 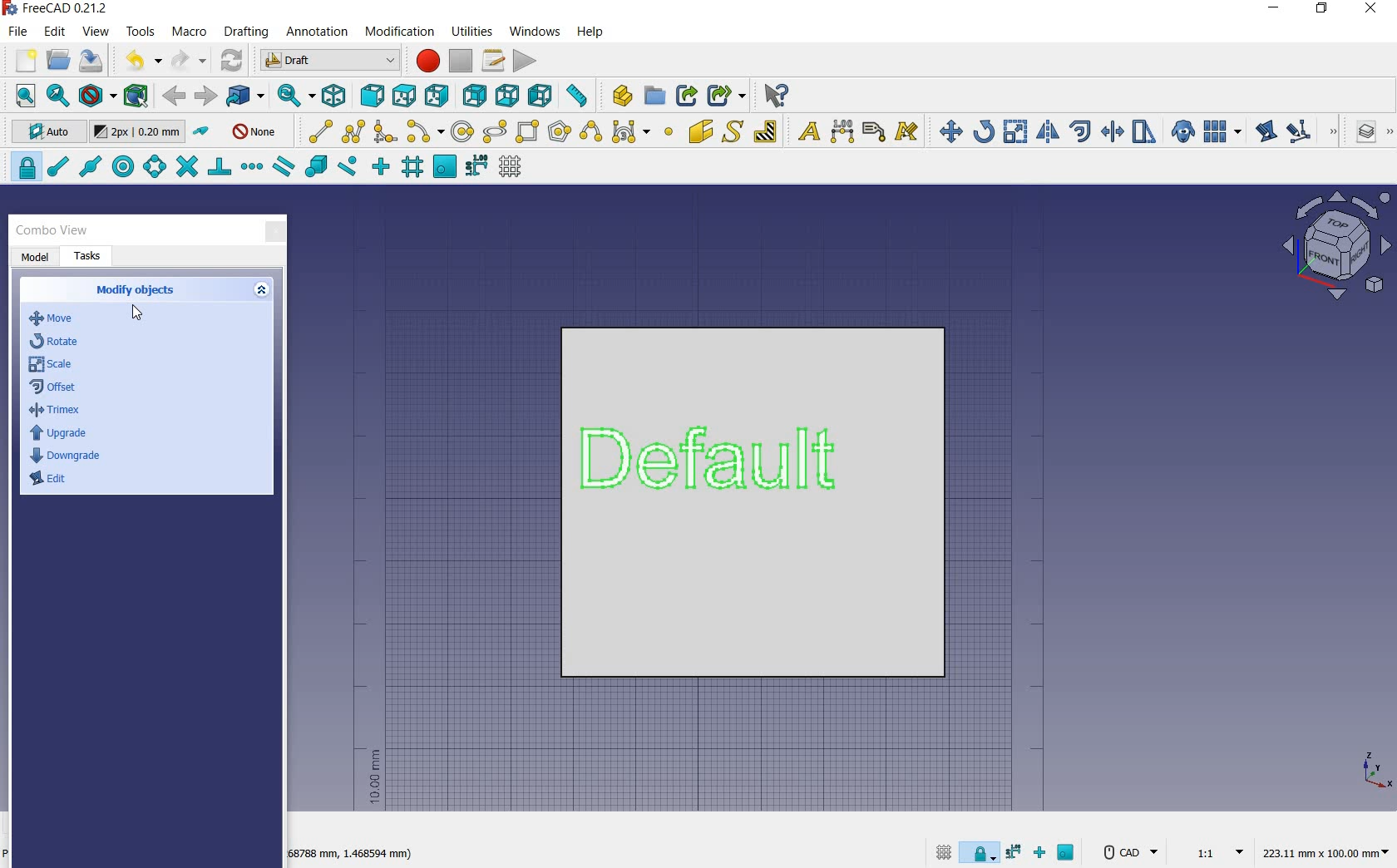 What do you see at coordinates (405, 95) in the screenshot?
I see `top` at bounding box center [405, 95].